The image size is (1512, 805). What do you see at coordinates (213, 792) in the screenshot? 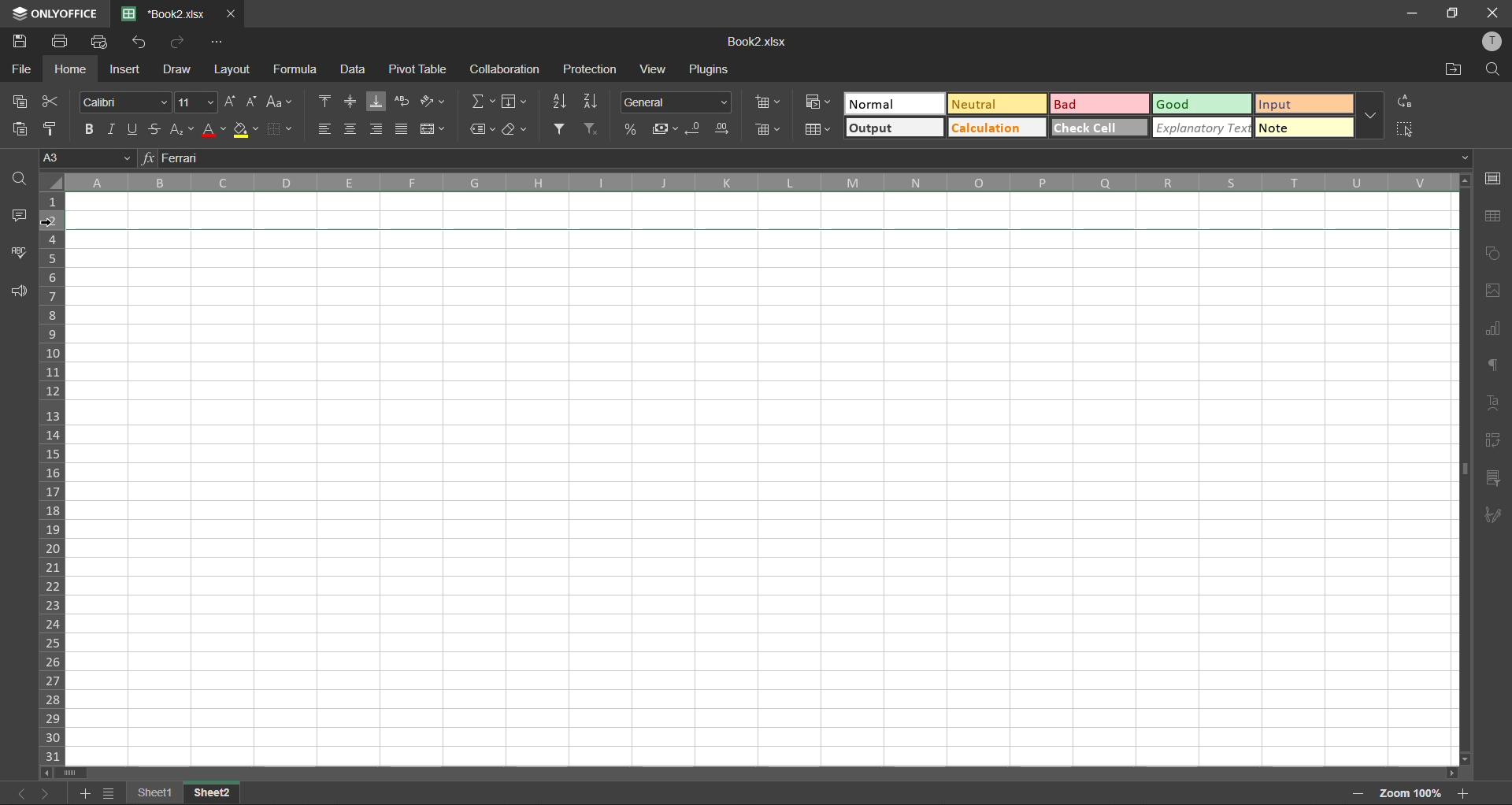
I see `sheet 13` at bounding box center [213, 792].